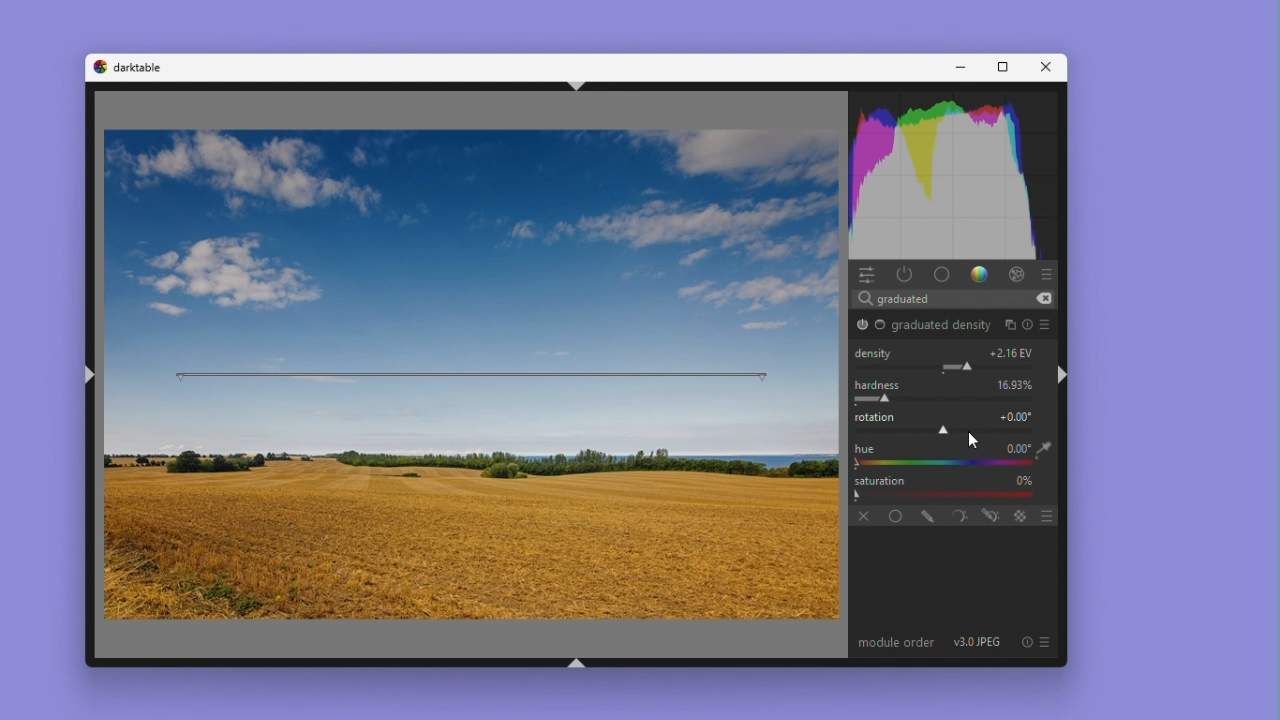 Image resolution: width=1280 pixels, height=720 pixels. What do you see at coordinates (876, 383) in the screenshot?
I see `Hardness` at bounding box center [876, 383].